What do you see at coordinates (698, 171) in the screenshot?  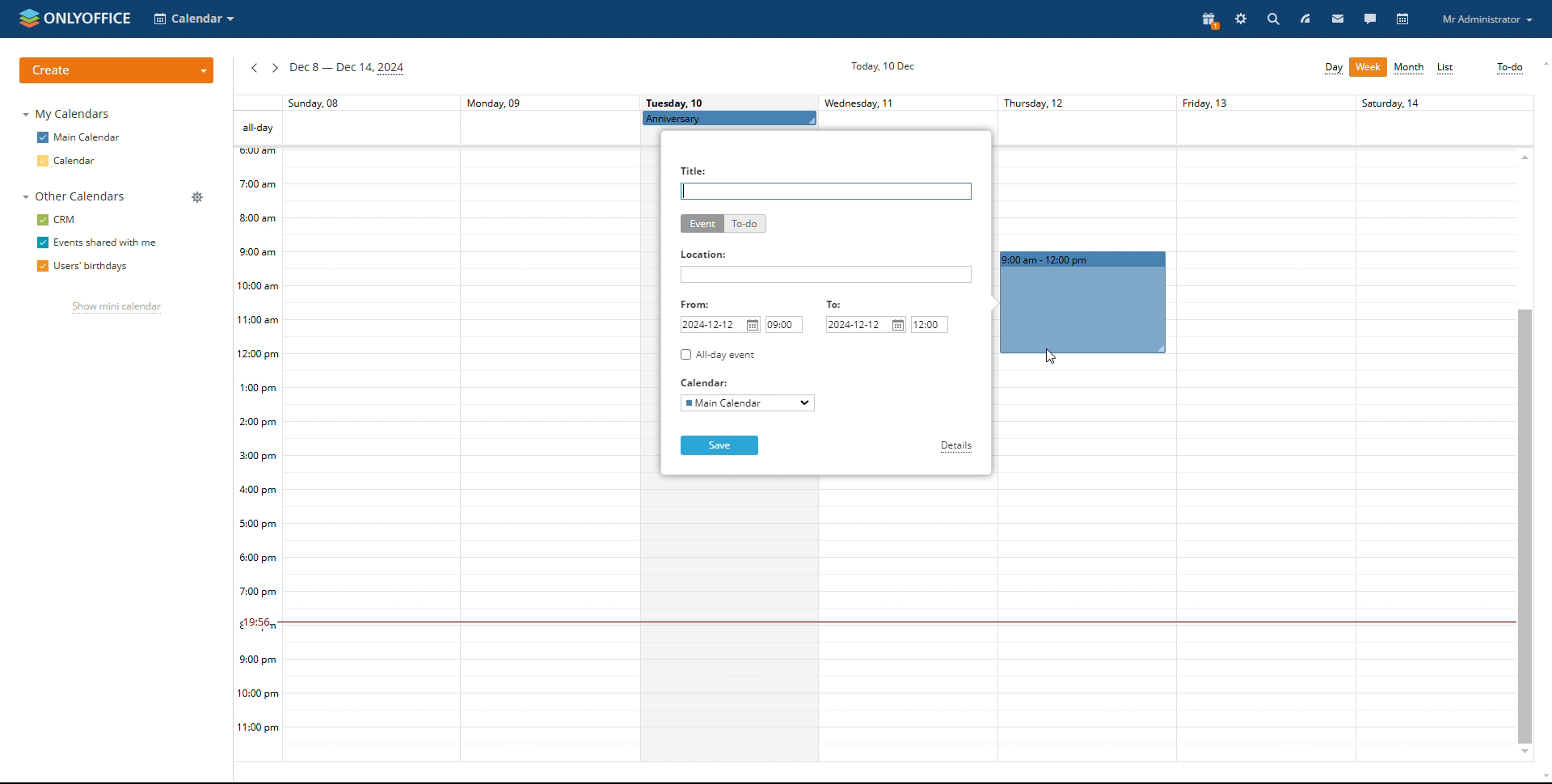 I see `Title:` at bounding box center [698, 171].